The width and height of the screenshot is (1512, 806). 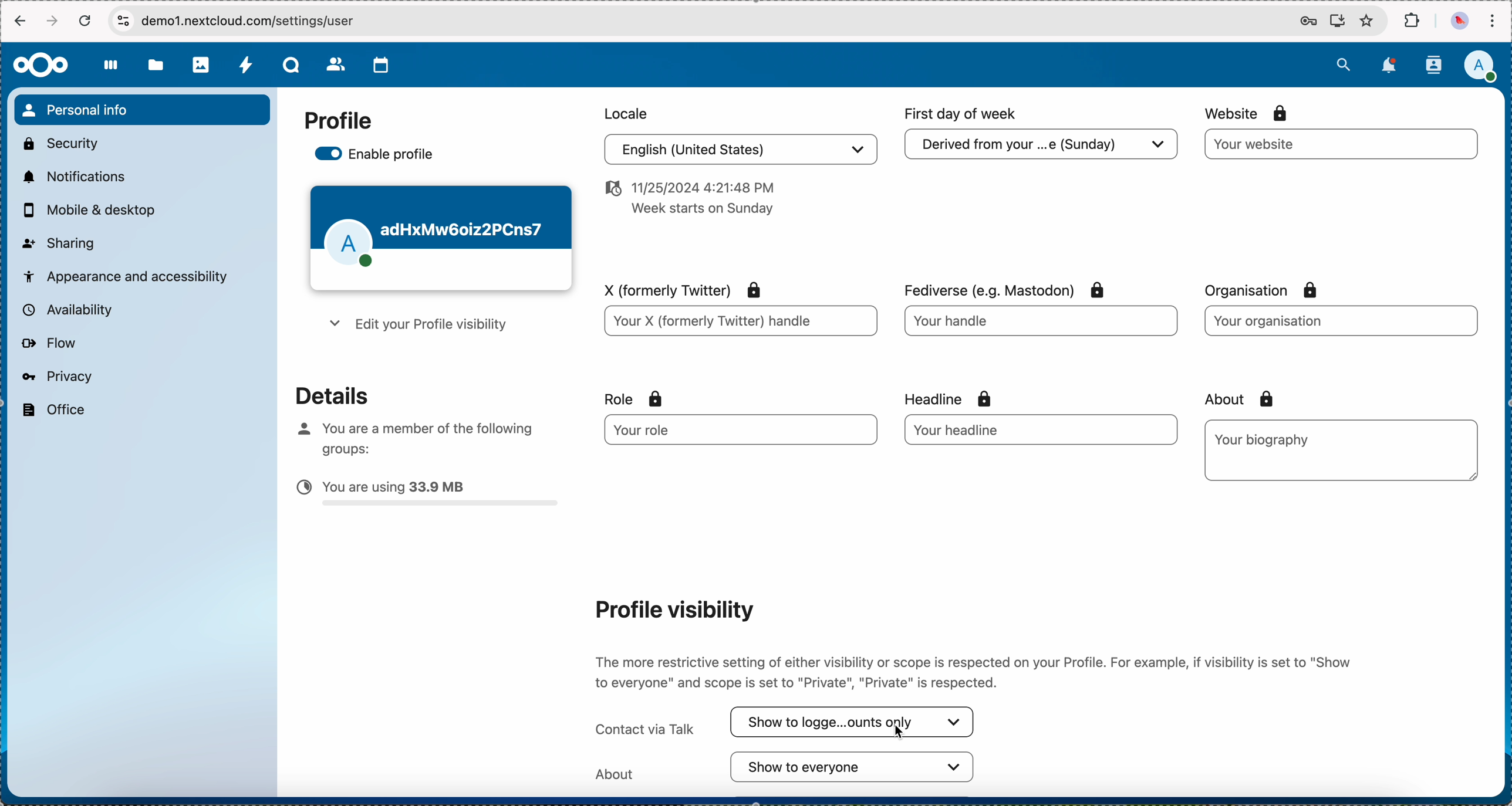 What do you see at coordinates (642, 723) in the screenshot?
I see `contact via Talk` at bounding box center [642, 723].